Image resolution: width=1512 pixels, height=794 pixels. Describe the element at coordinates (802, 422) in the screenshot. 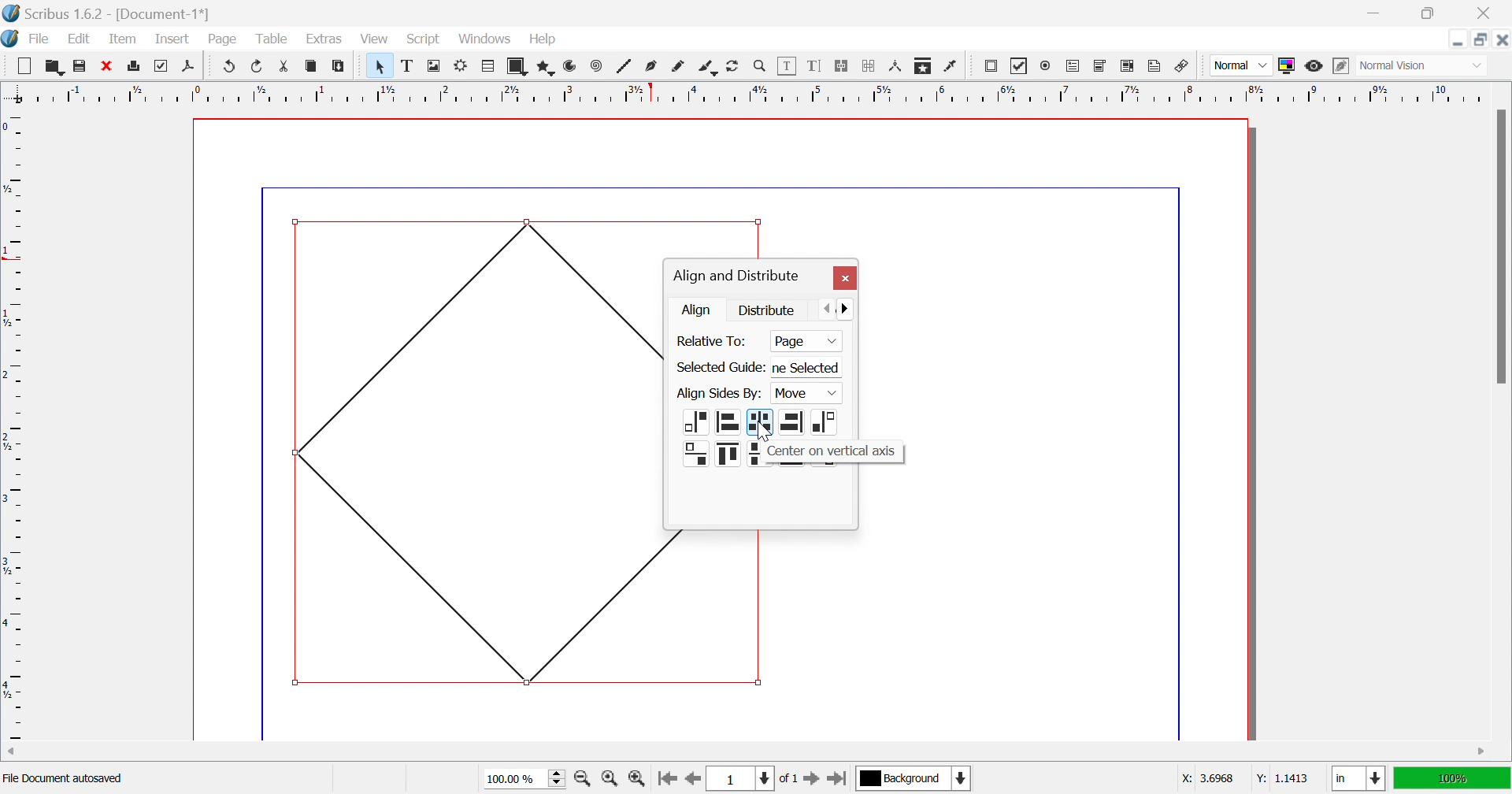

I see `alignments` at that location.